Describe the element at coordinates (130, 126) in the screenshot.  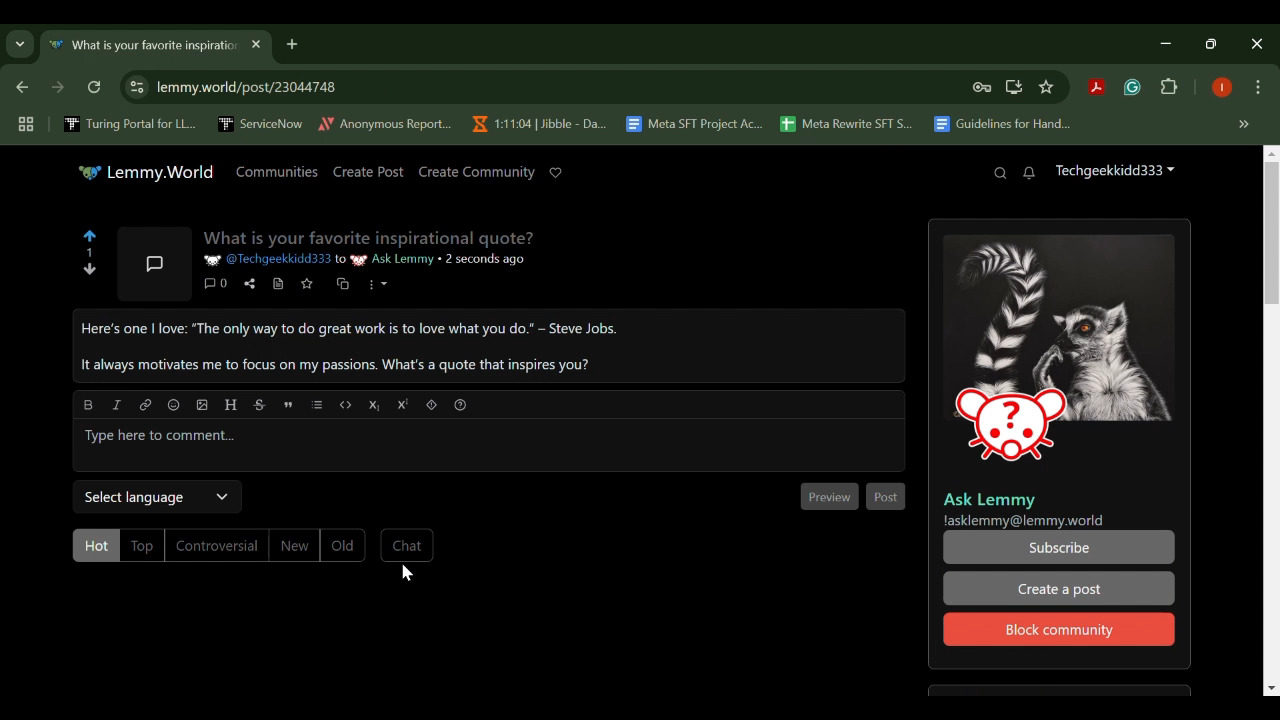
I see `Turing Portal for LLM` at that location.